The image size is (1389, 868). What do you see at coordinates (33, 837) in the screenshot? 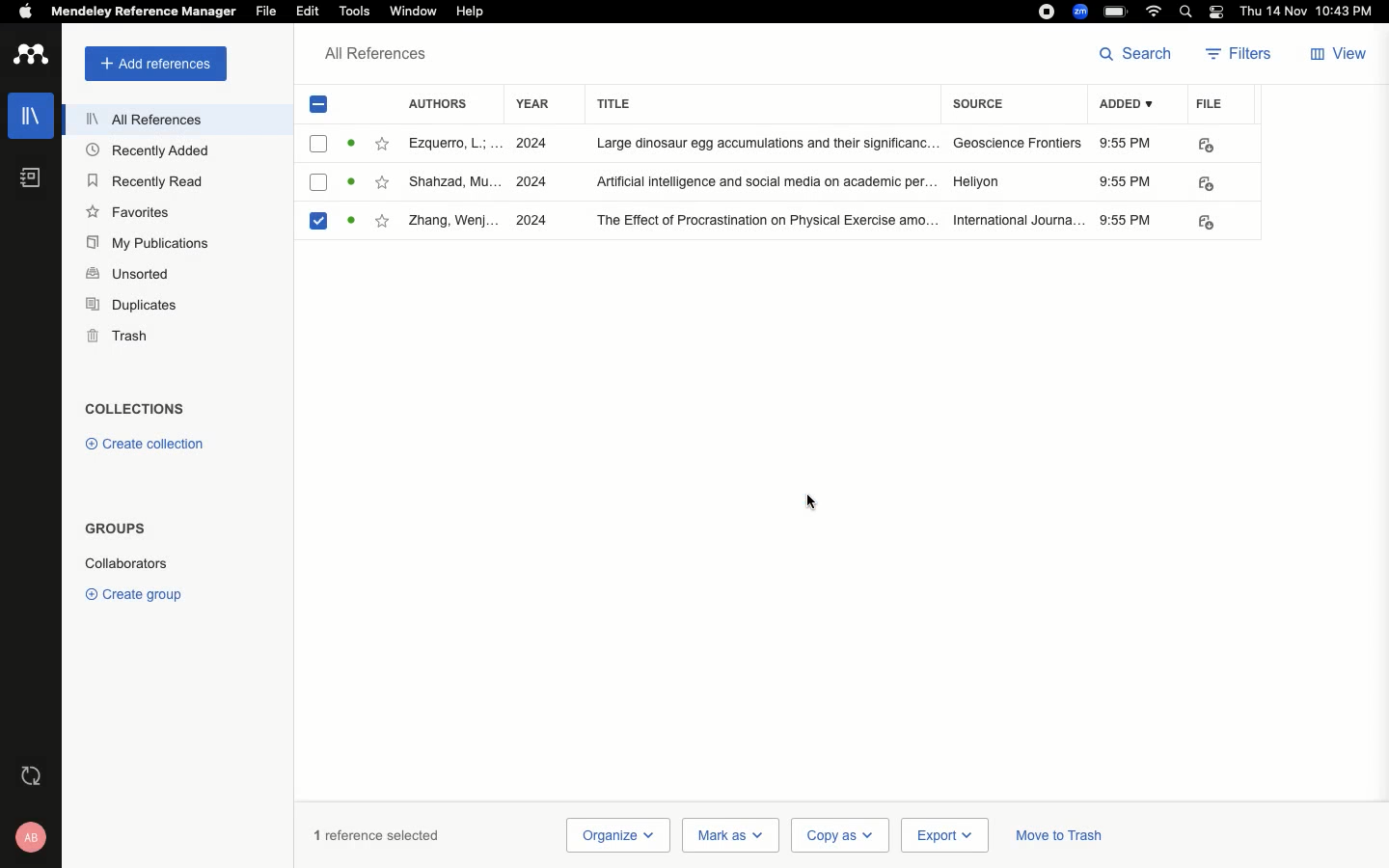
I see `Account and help` at bounding box center [33, 837].